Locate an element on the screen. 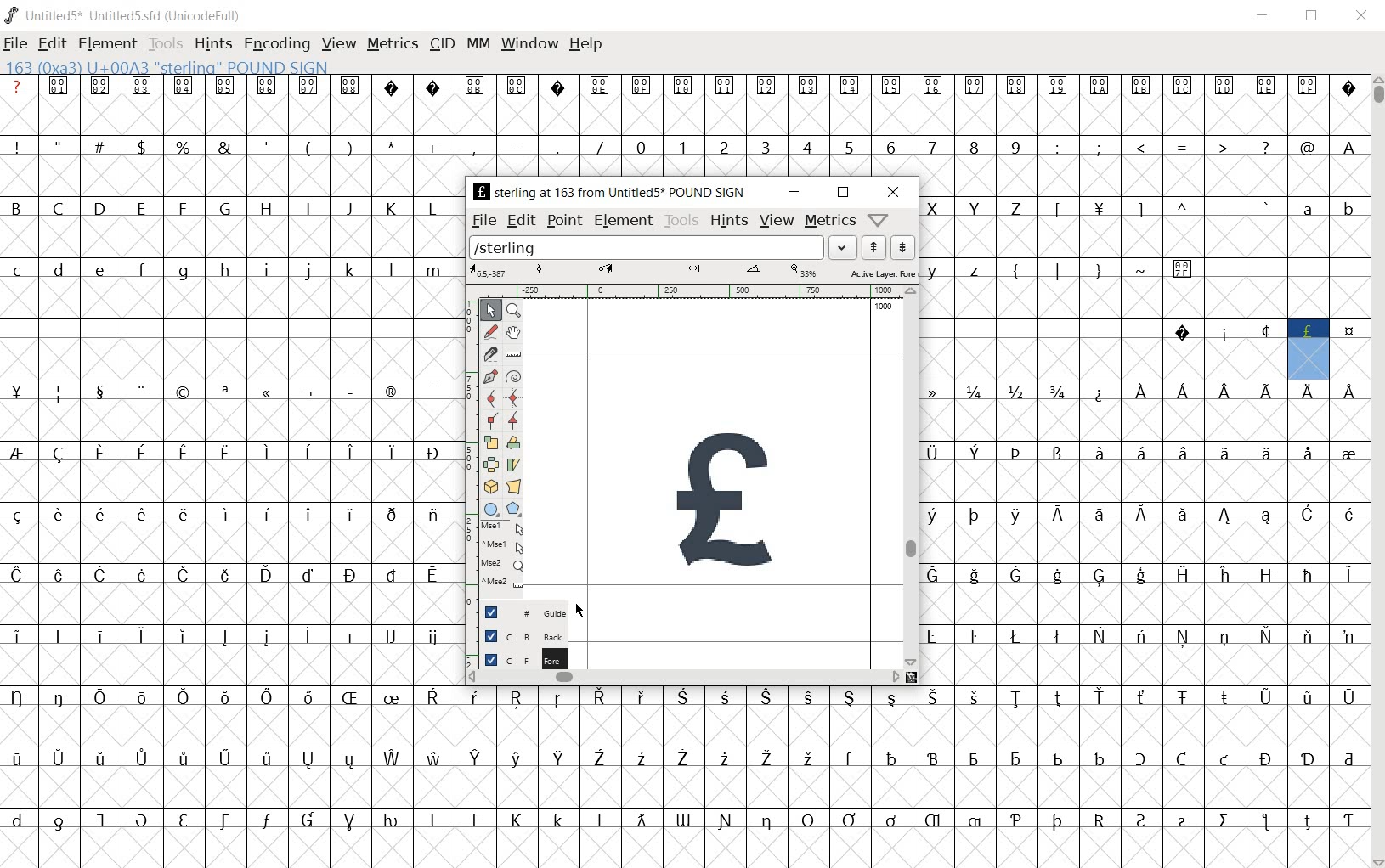 The width and height of the screenshot is (1385, 868). 1 is located at coordinates (681, 146).